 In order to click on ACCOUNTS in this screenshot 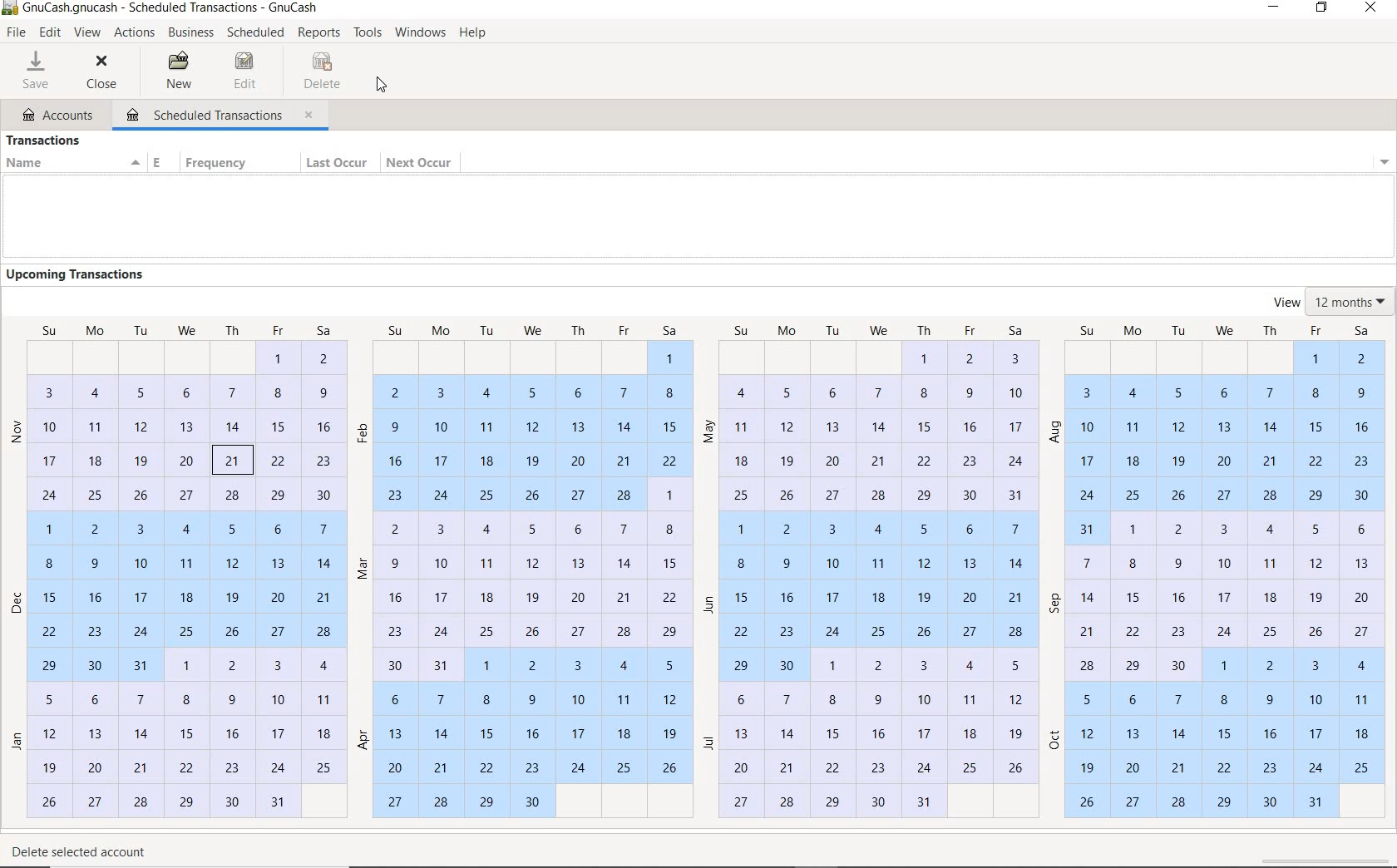, I will do `click(58, 115)`.